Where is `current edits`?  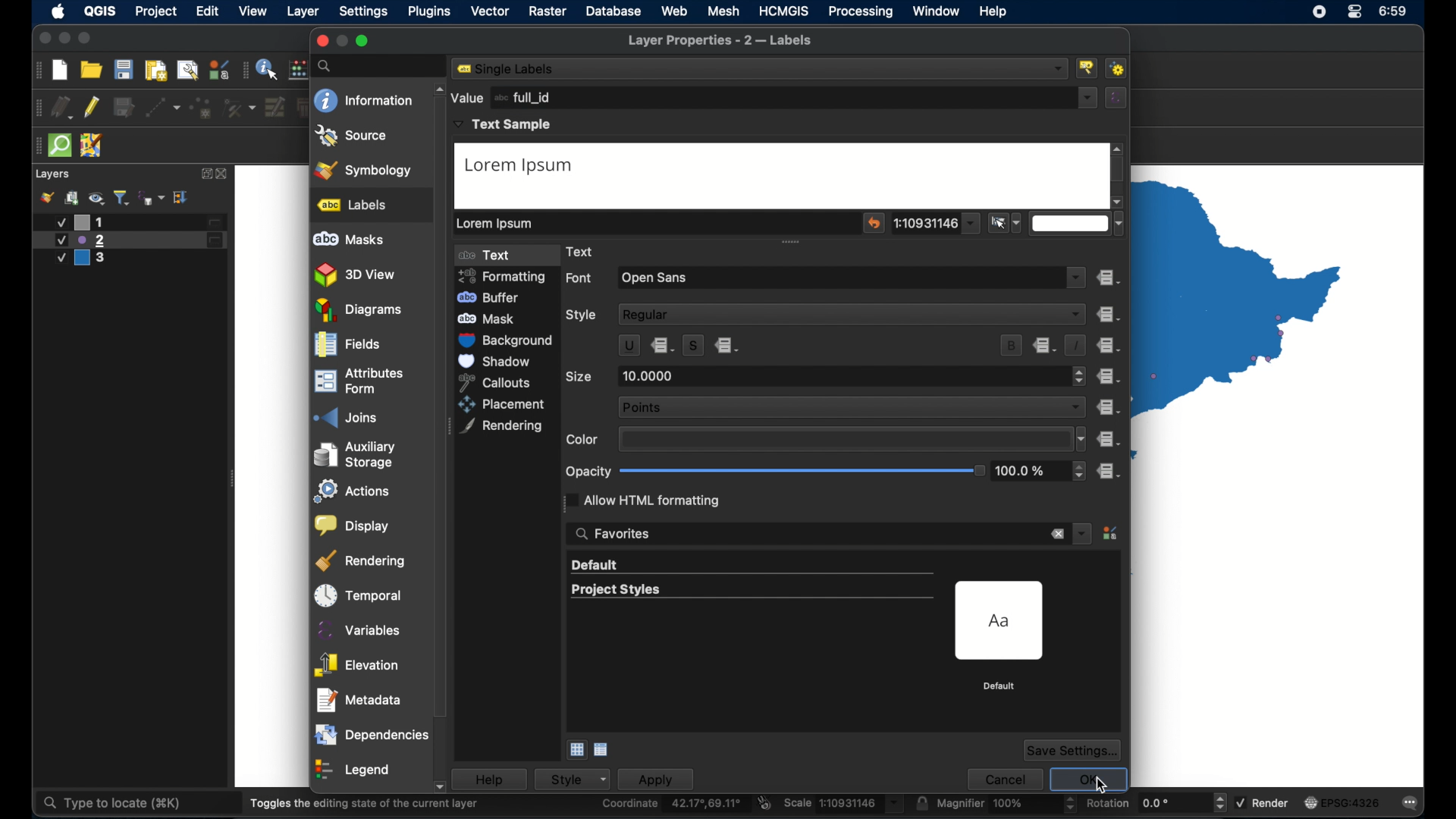 current edits is located at coordinates (61, 107).